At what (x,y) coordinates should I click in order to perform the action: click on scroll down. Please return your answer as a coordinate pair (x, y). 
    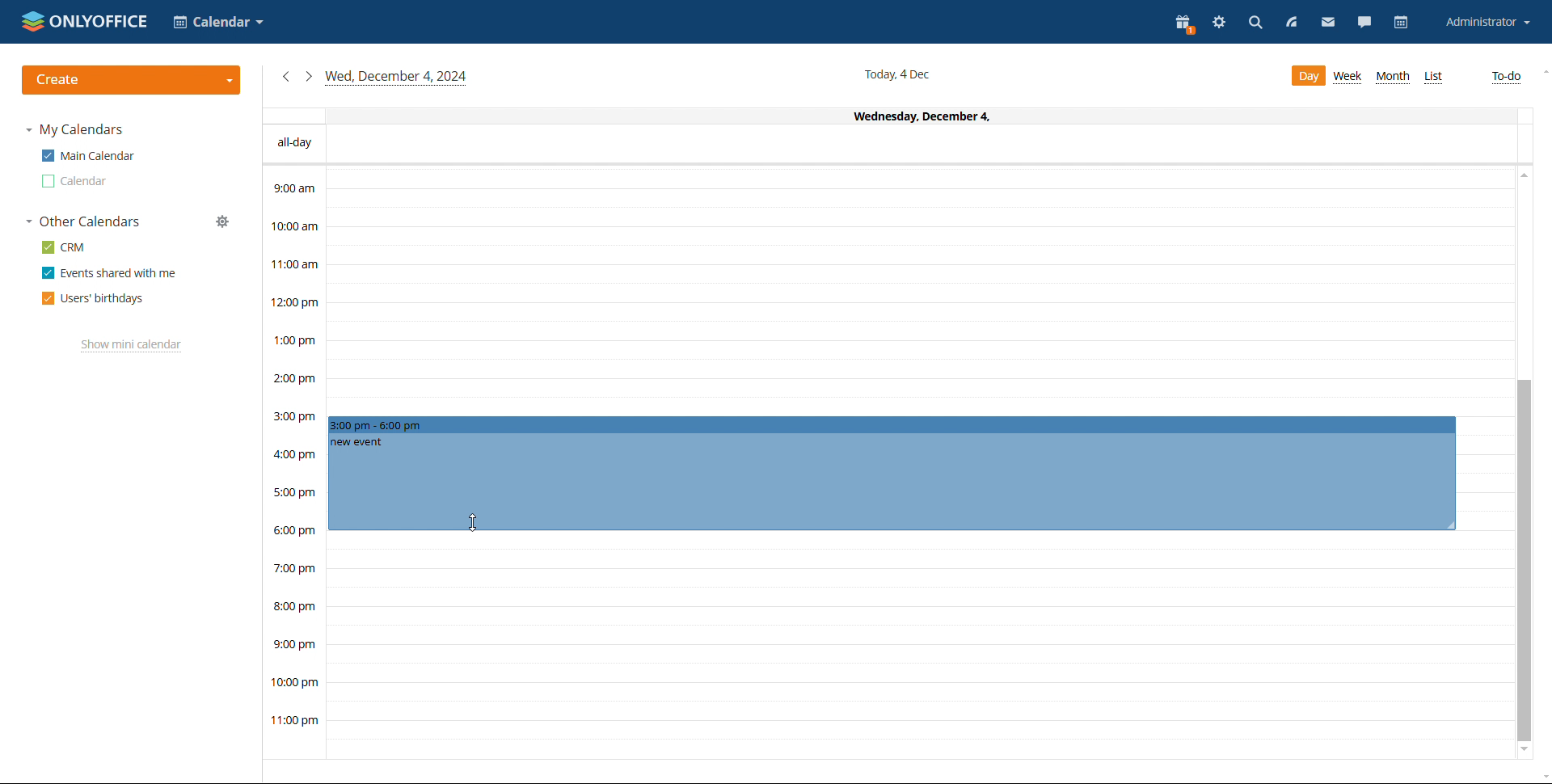
    Looking at the image, I should click on (1525, 752).